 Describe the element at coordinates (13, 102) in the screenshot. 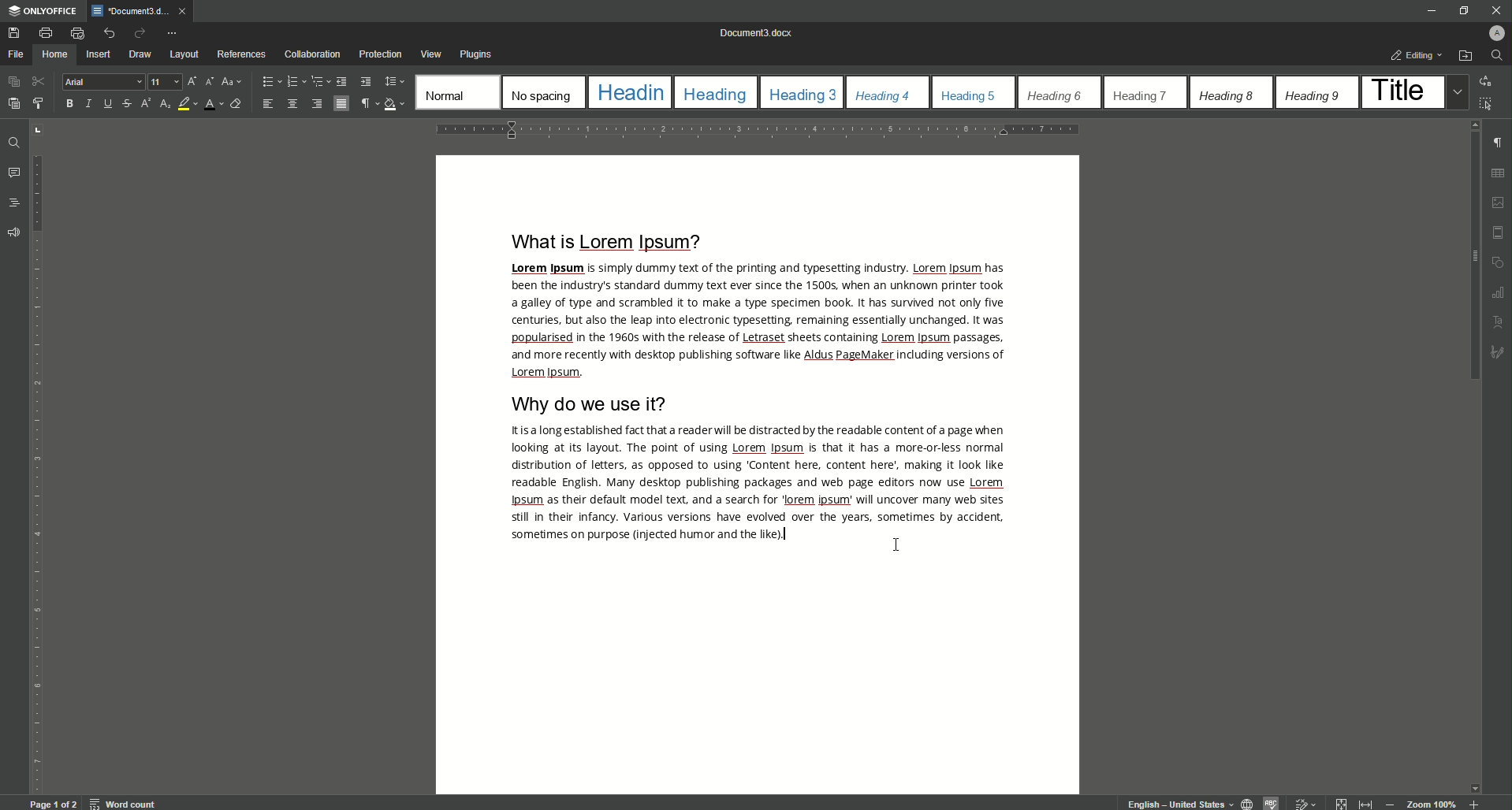

I see `Paste` at that location.